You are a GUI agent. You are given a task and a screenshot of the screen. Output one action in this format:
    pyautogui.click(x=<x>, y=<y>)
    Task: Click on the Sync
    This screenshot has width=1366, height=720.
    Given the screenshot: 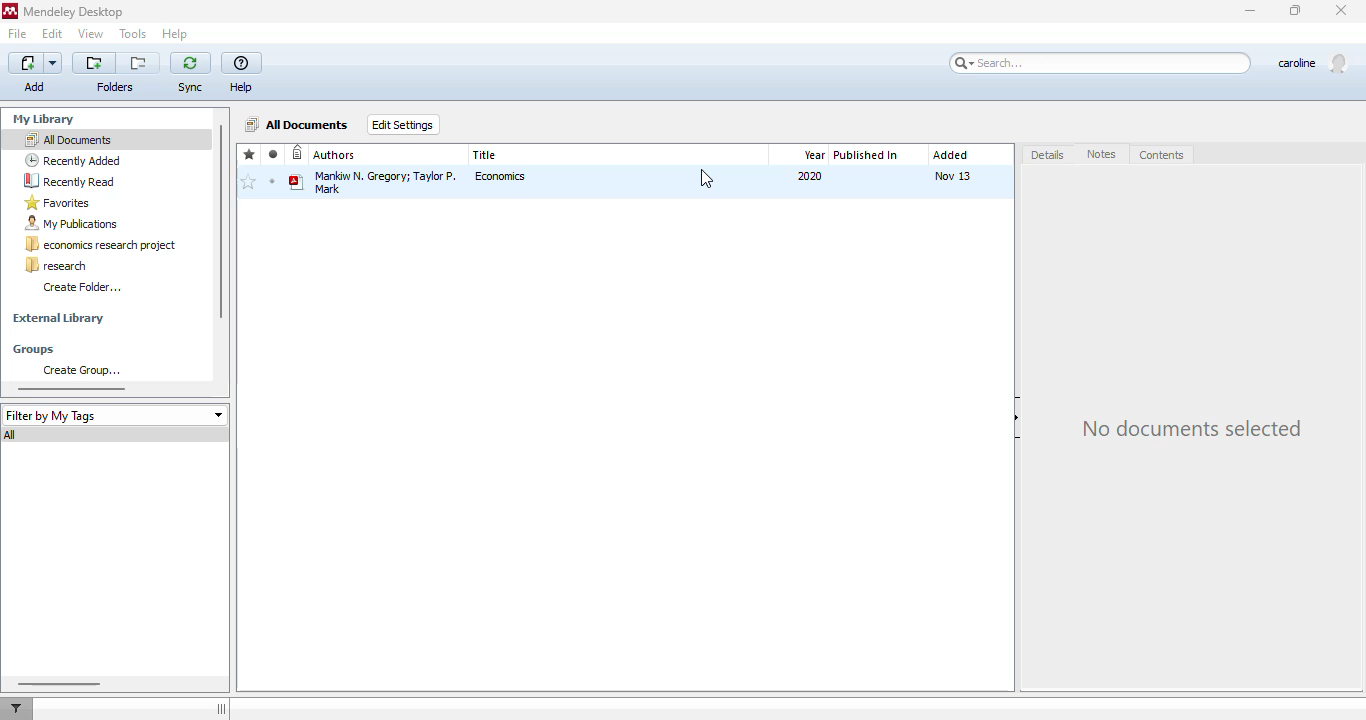 What is the action you would take?
    pyautogui.click(x=191, y=88)
    